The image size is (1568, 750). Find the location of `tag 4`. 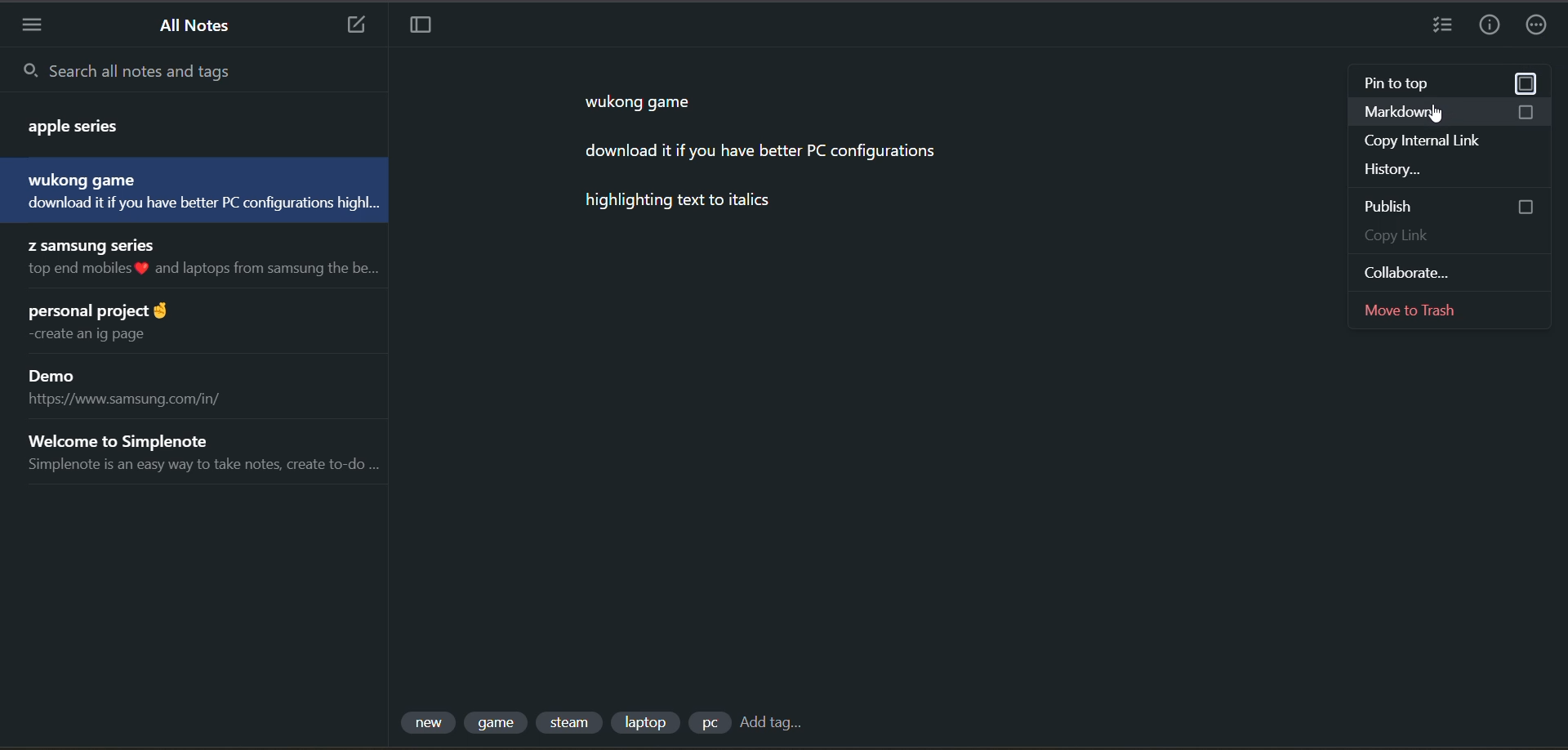

tag 4 is located at coordinates (644, 721).